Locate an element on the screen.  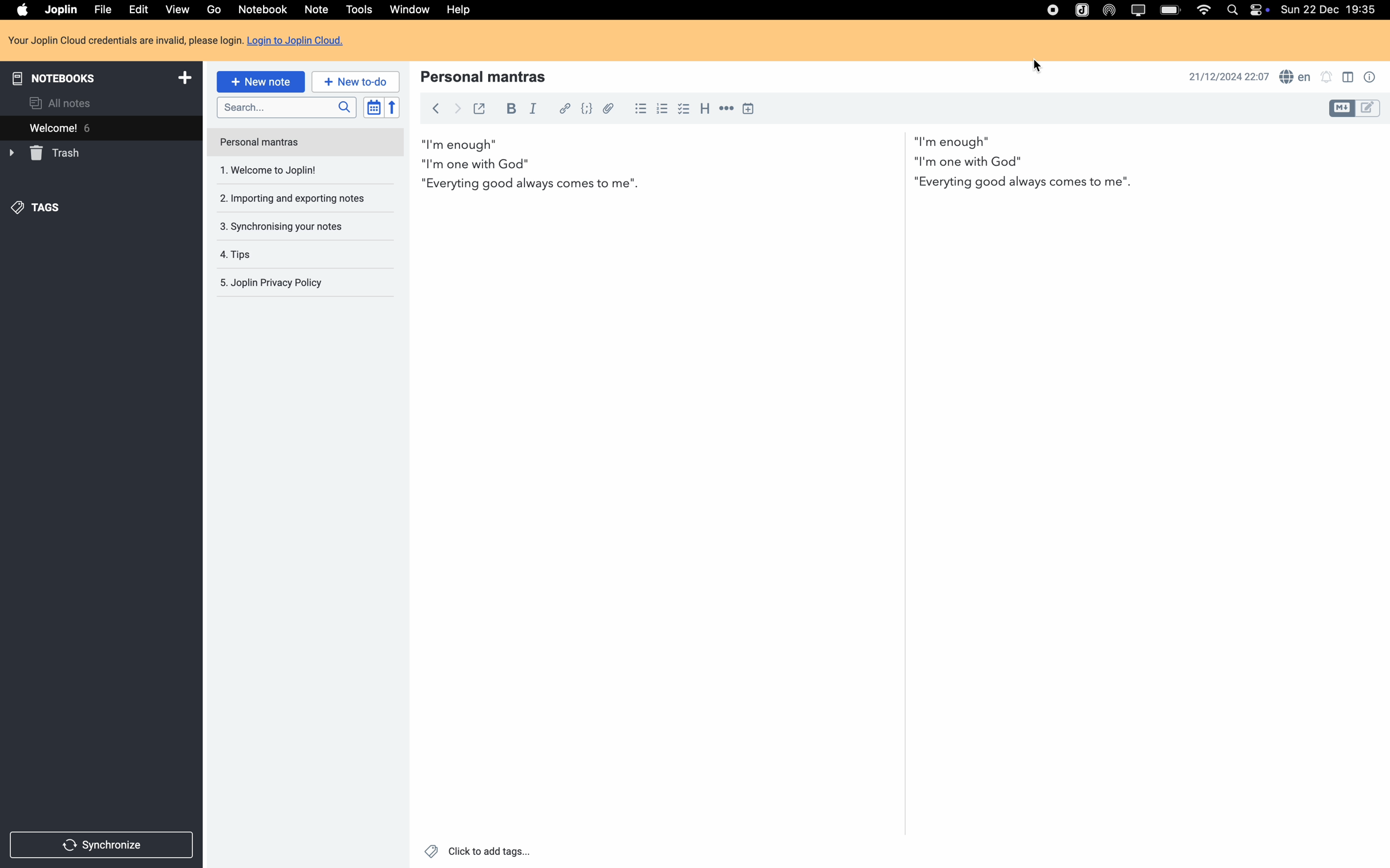
notebook is located at coordinates (262, 10).